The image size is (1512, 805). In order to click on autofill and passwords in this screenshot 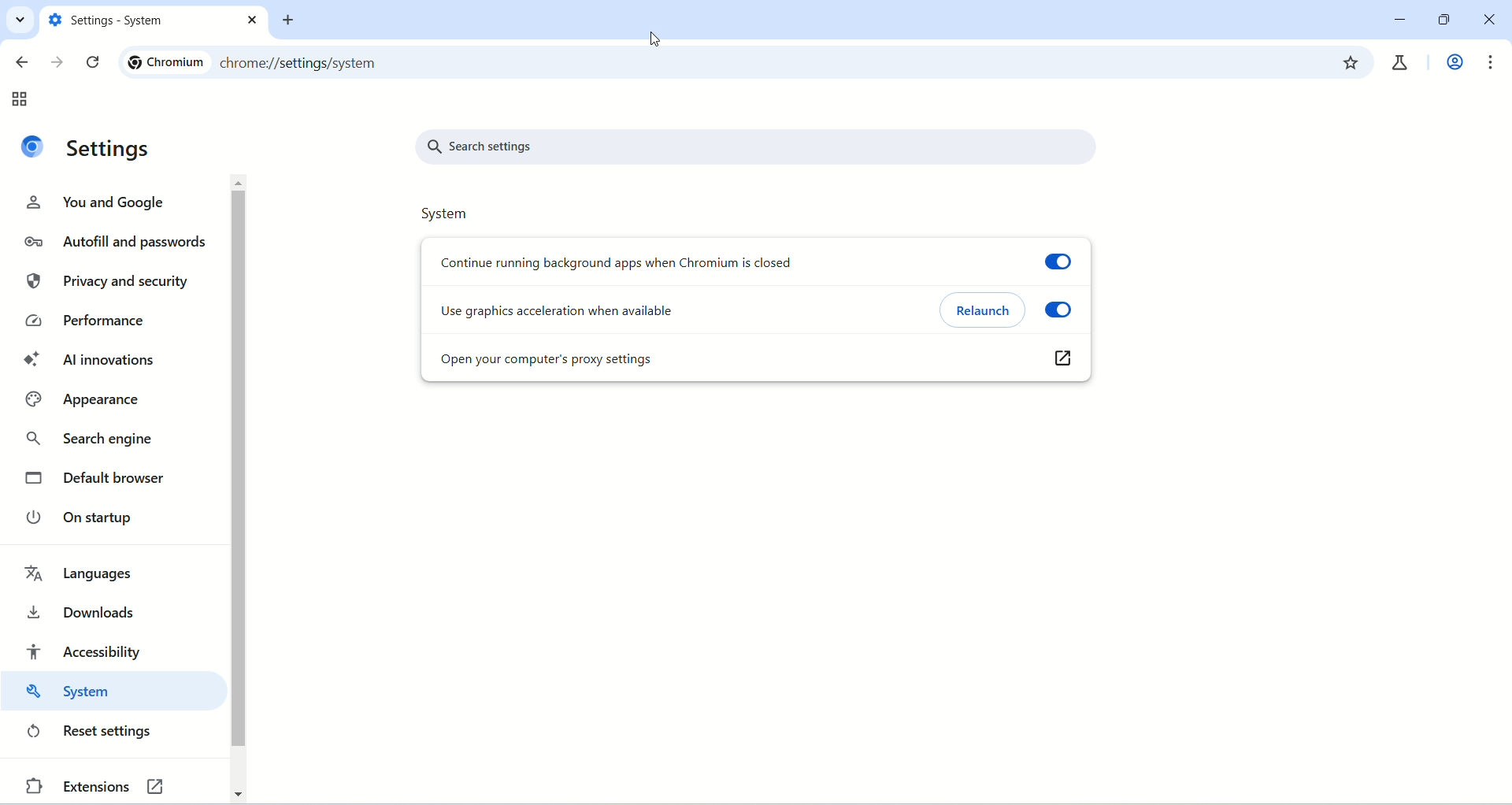, I will do `click(115, 243)`.